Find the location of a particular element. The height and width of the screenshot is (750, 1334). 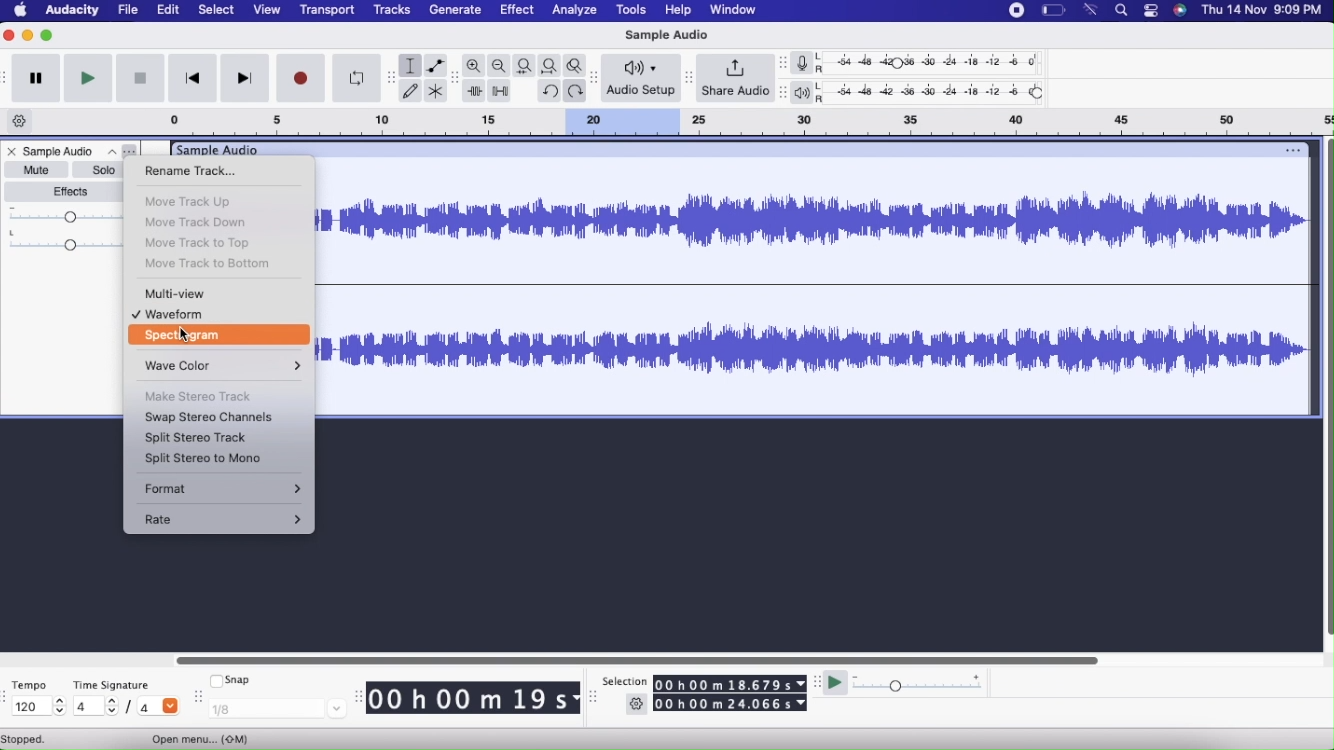

/4 is located at coordinates (152, 706).